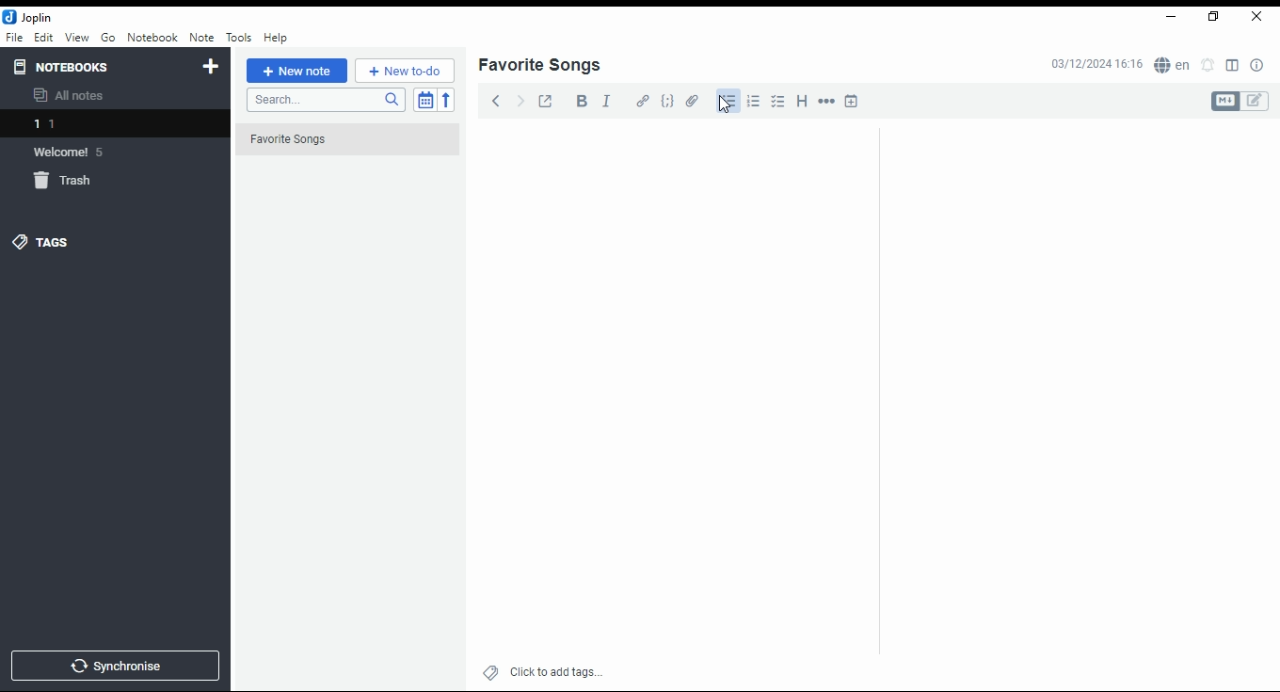  I want to click on 03/12/2024 16:16, so click(1096, 64).